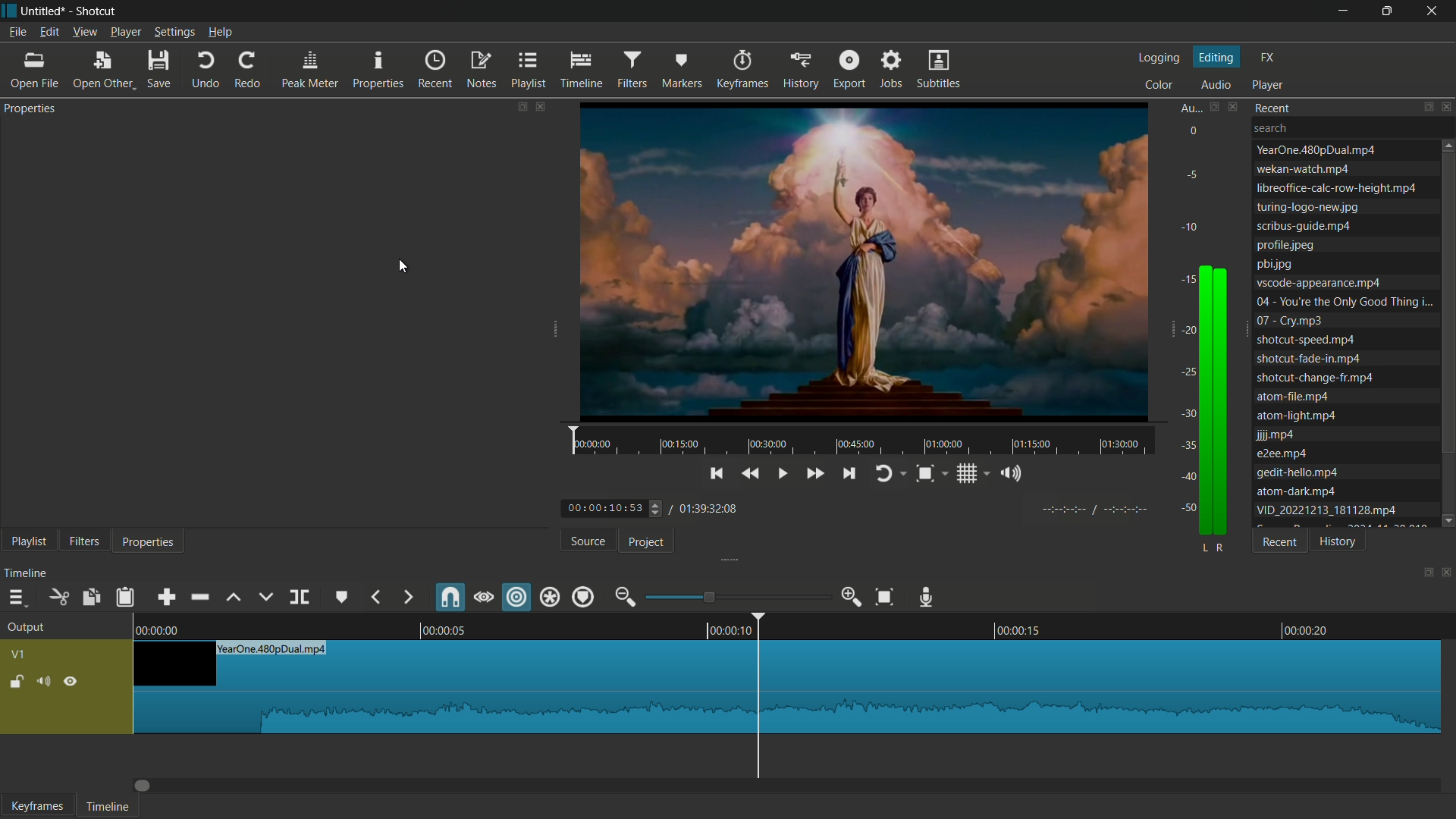 The height and width of the screenshot is (819, 1456). What do you see at coordinates (1160, 83) in the screenshot?
I see `color` at bounding box center [1160, 83].